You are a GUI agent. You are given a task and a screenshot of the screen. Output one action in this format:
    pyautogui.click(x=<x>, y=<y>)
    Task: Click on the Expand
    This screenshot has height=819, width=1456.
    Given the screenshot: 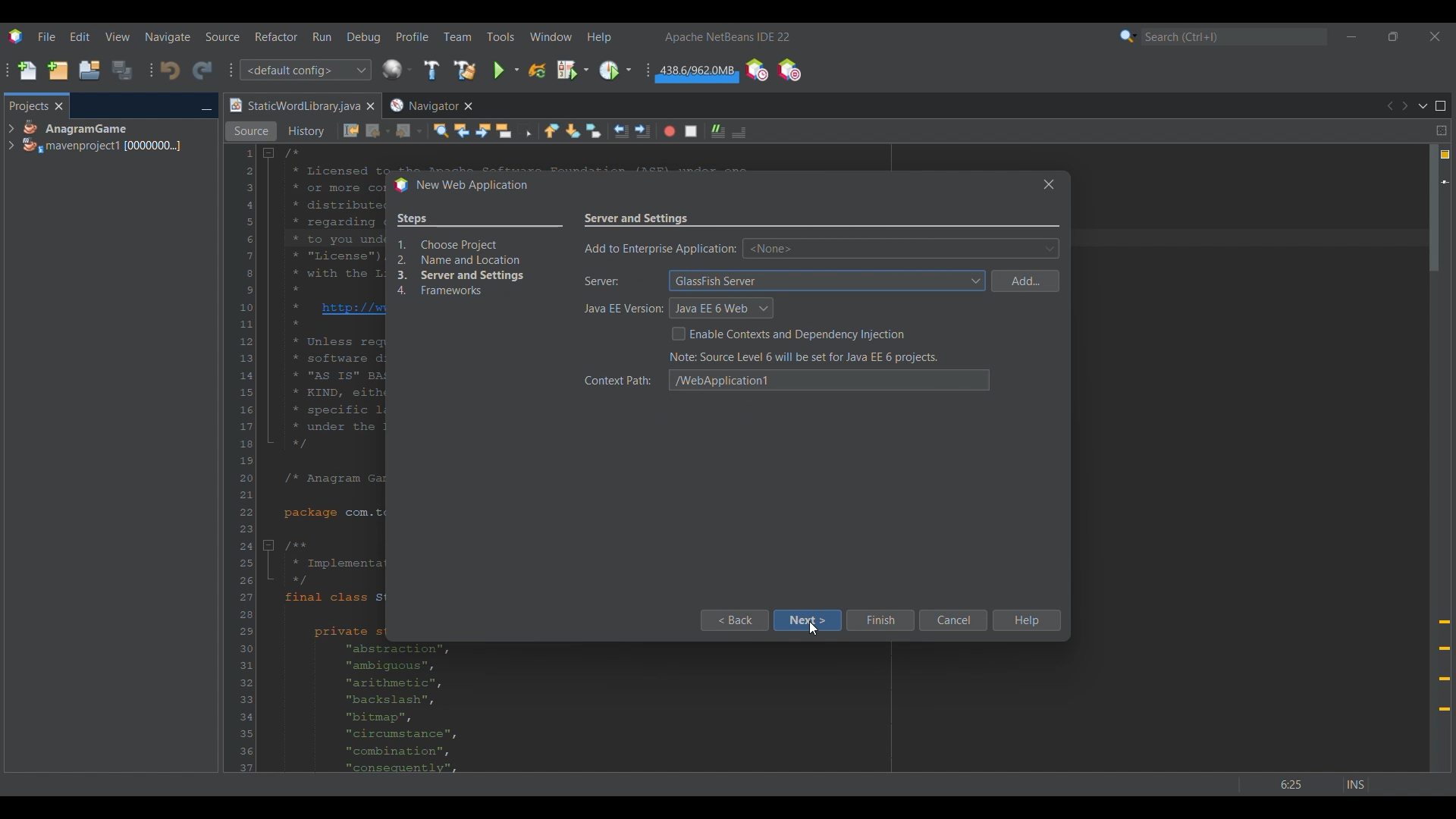 What is the action you would take?
    pyautogui.click(x=11, y=137)
    